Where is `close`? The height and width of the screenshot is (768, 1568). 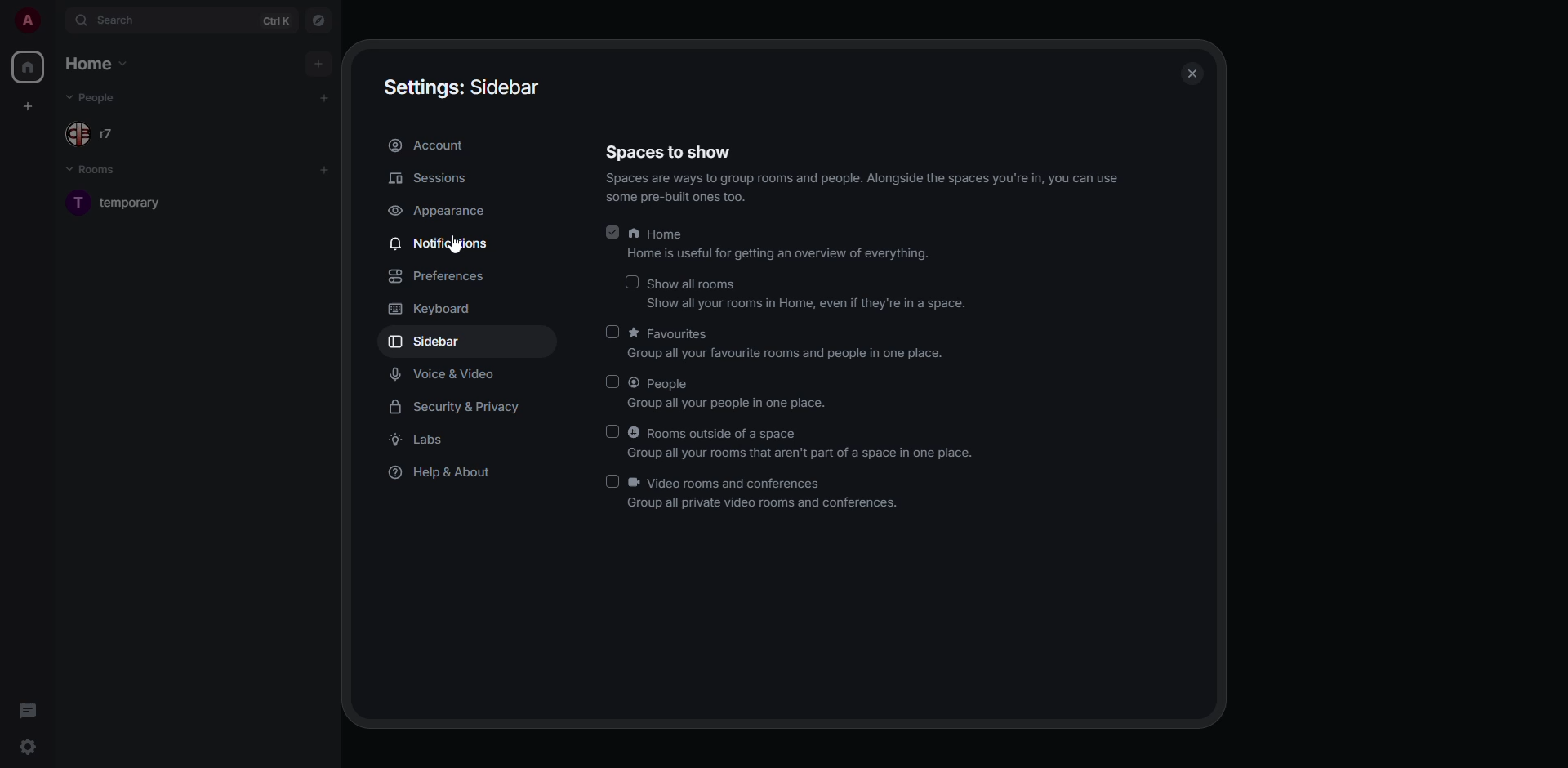 close is located at coordinates (1192, 76).